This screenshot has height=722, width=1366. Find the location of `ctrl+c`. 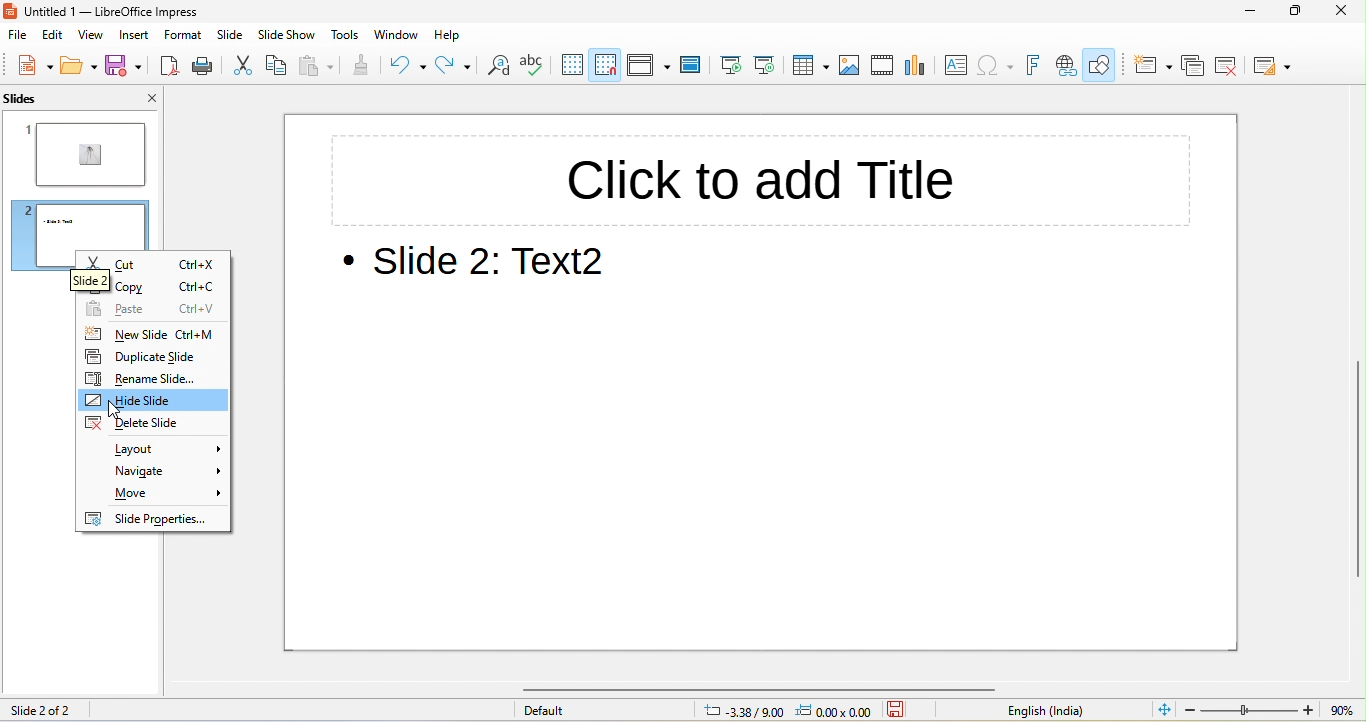

ctrl+c is located at coordinates (199, 287).